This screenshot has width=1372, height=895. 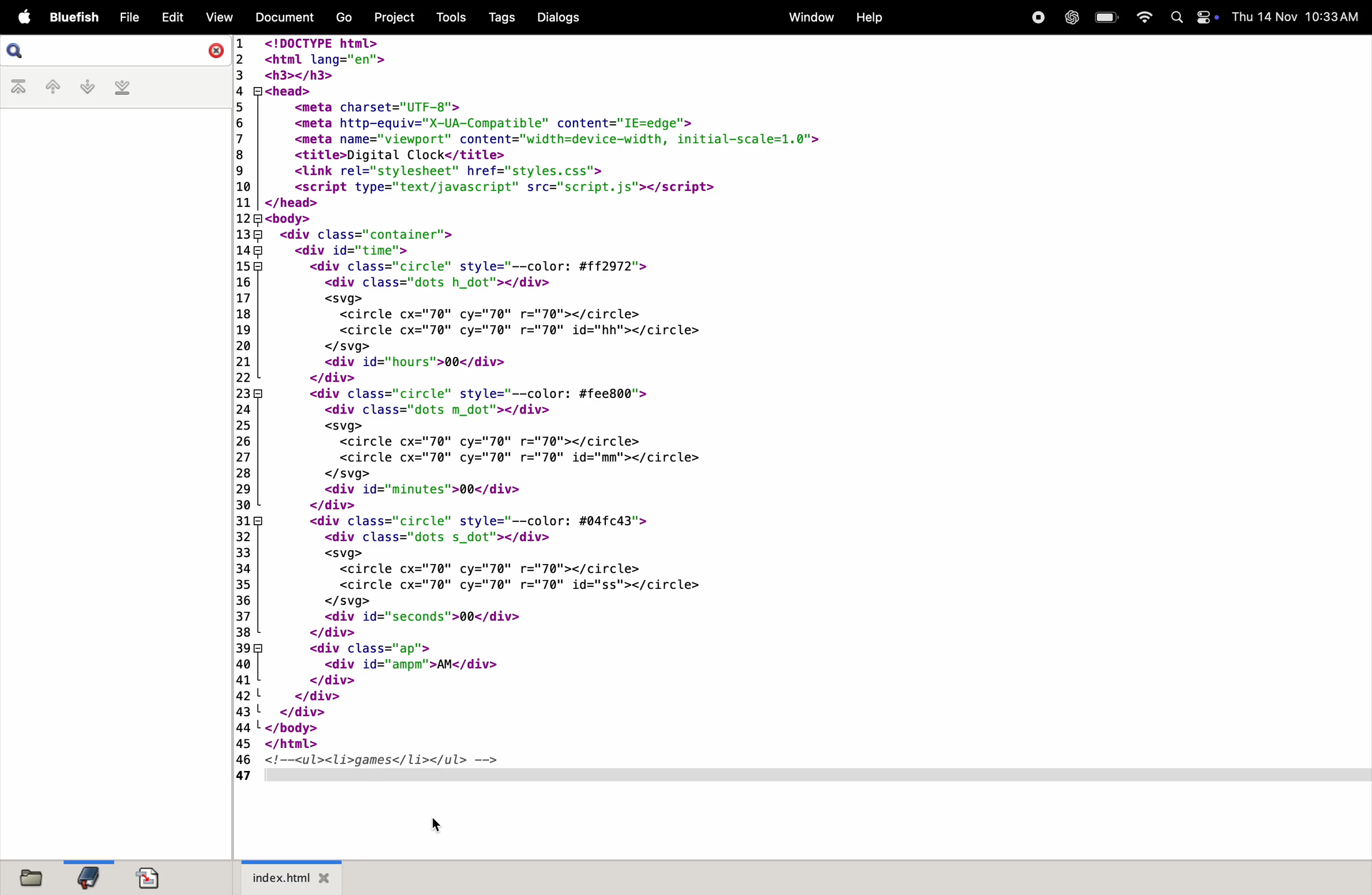 What do you see at coordinates (71, 16) in the screenshot?
I see `bluefish` at bounding box center [71, 16].